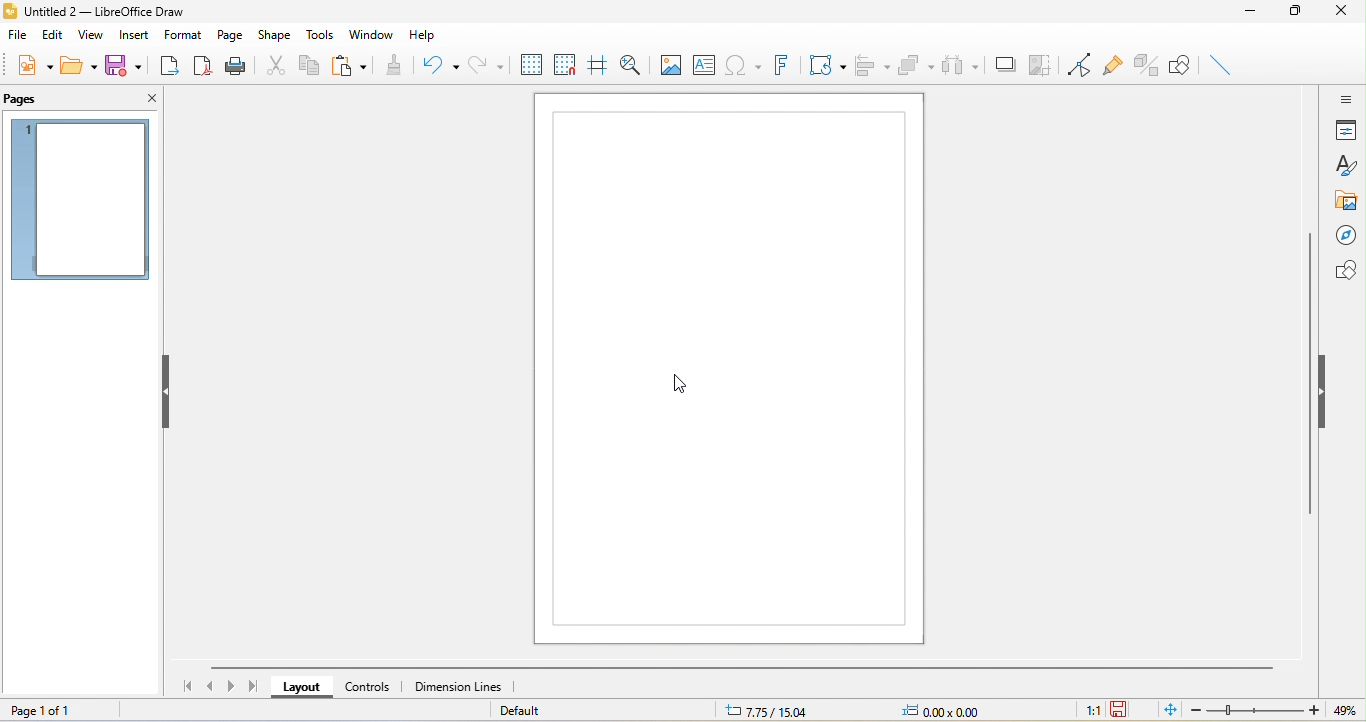 The width and height of the screenshot is (1366, 722). What do you see at coordinates (322, 34) in the screenshot?
I see `tools` at bounding box center [322, 34].